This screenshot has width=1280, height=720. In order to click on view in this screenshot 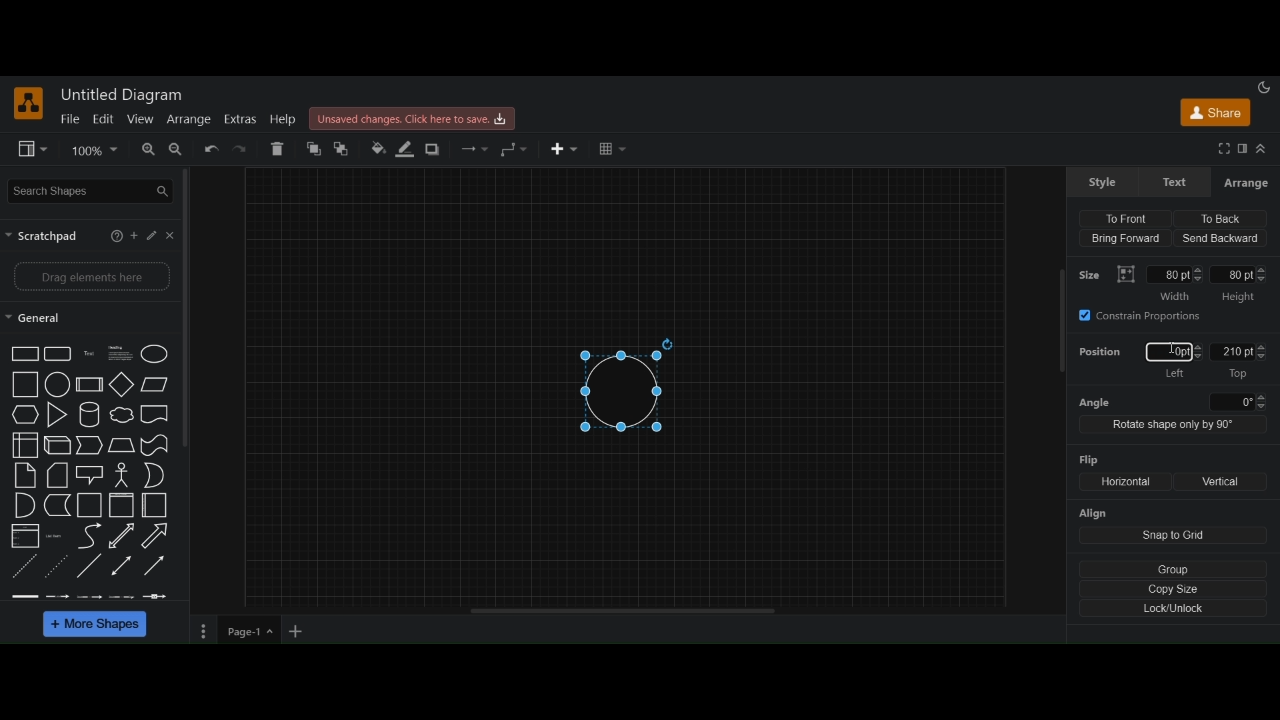, I will do `click(139, 119)`.